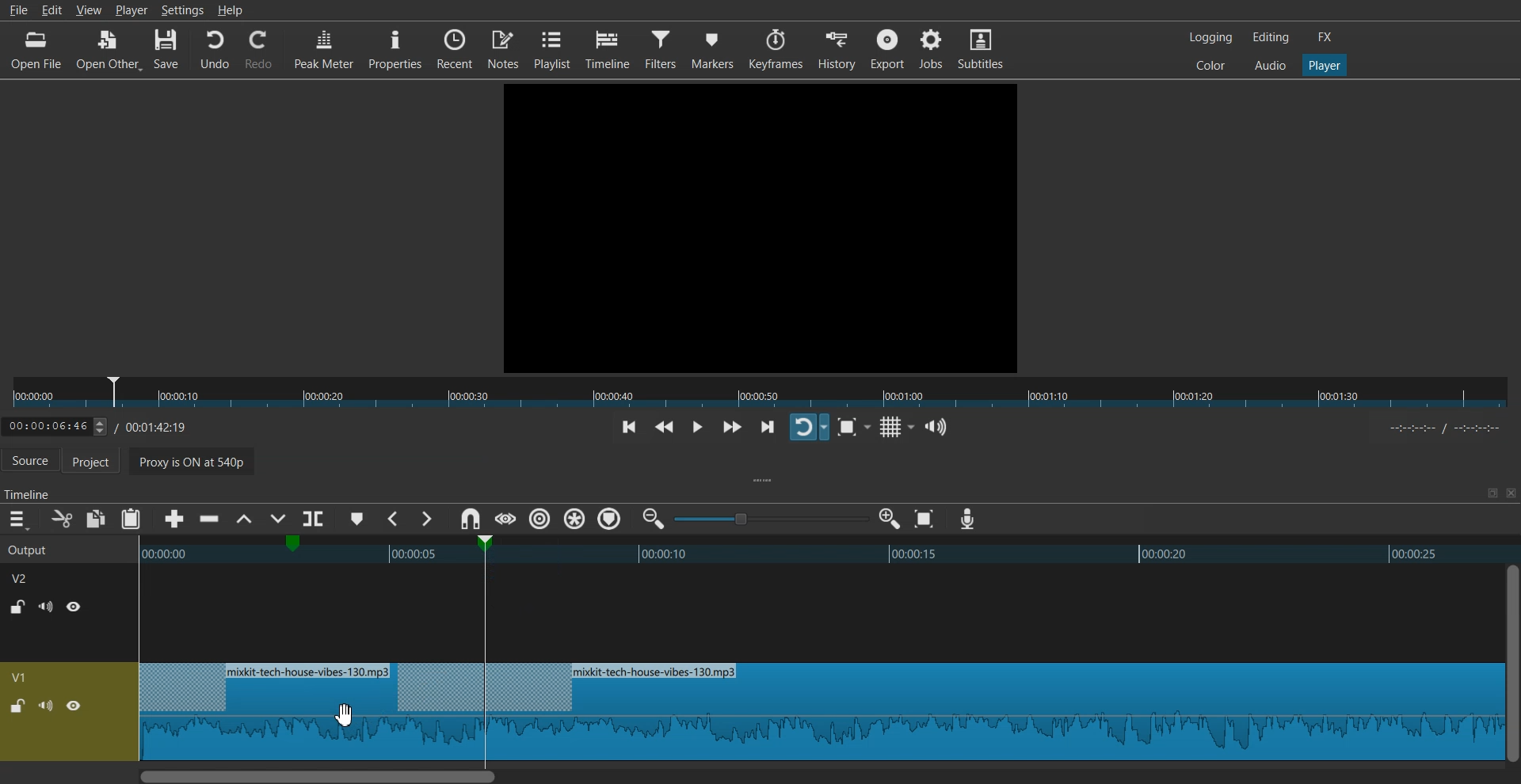 The image size is (1521, 784). I want to click on Audio waveform, so click(813, 615).